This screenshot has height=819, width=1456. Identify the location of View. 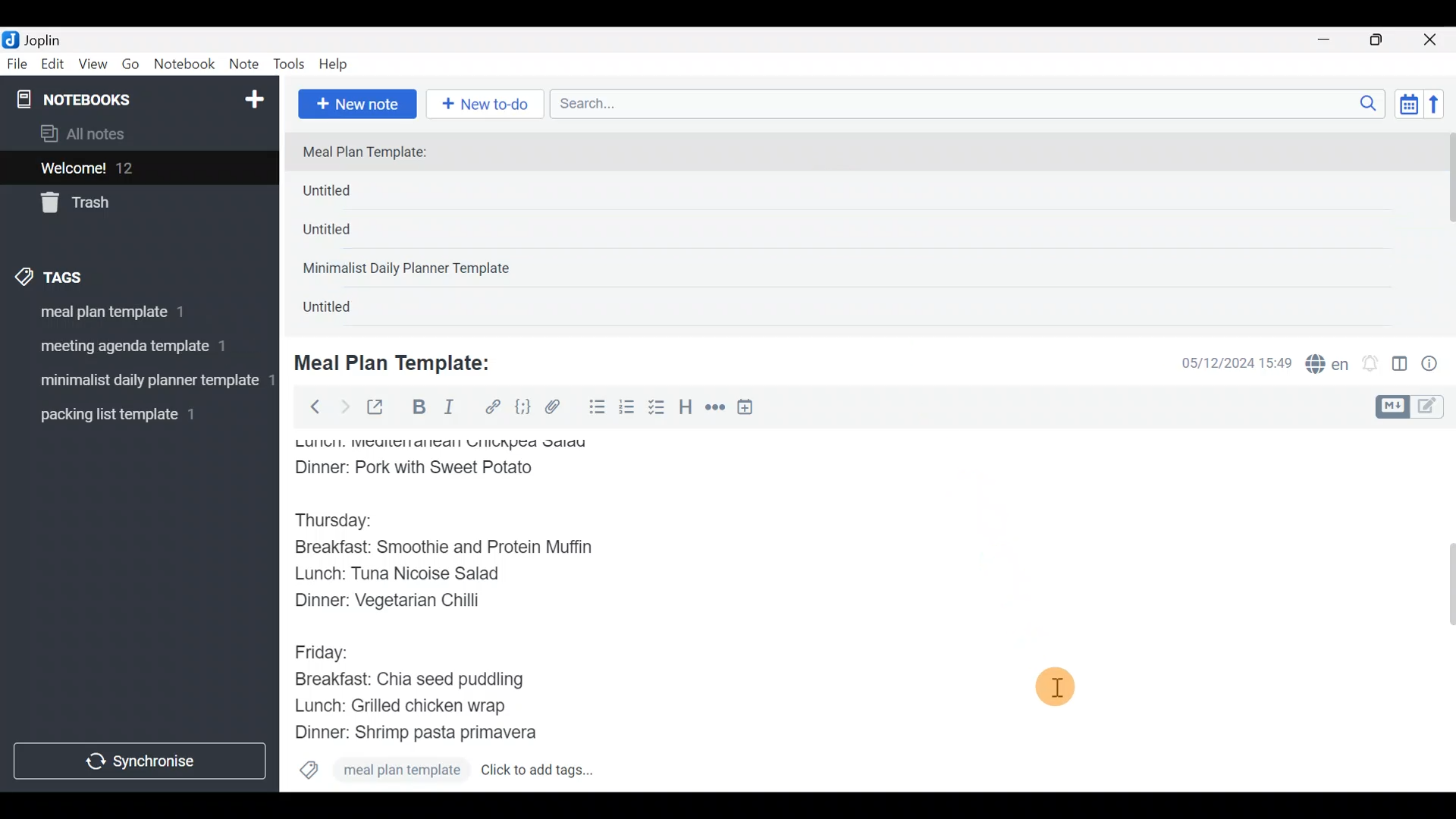
(93, 63).